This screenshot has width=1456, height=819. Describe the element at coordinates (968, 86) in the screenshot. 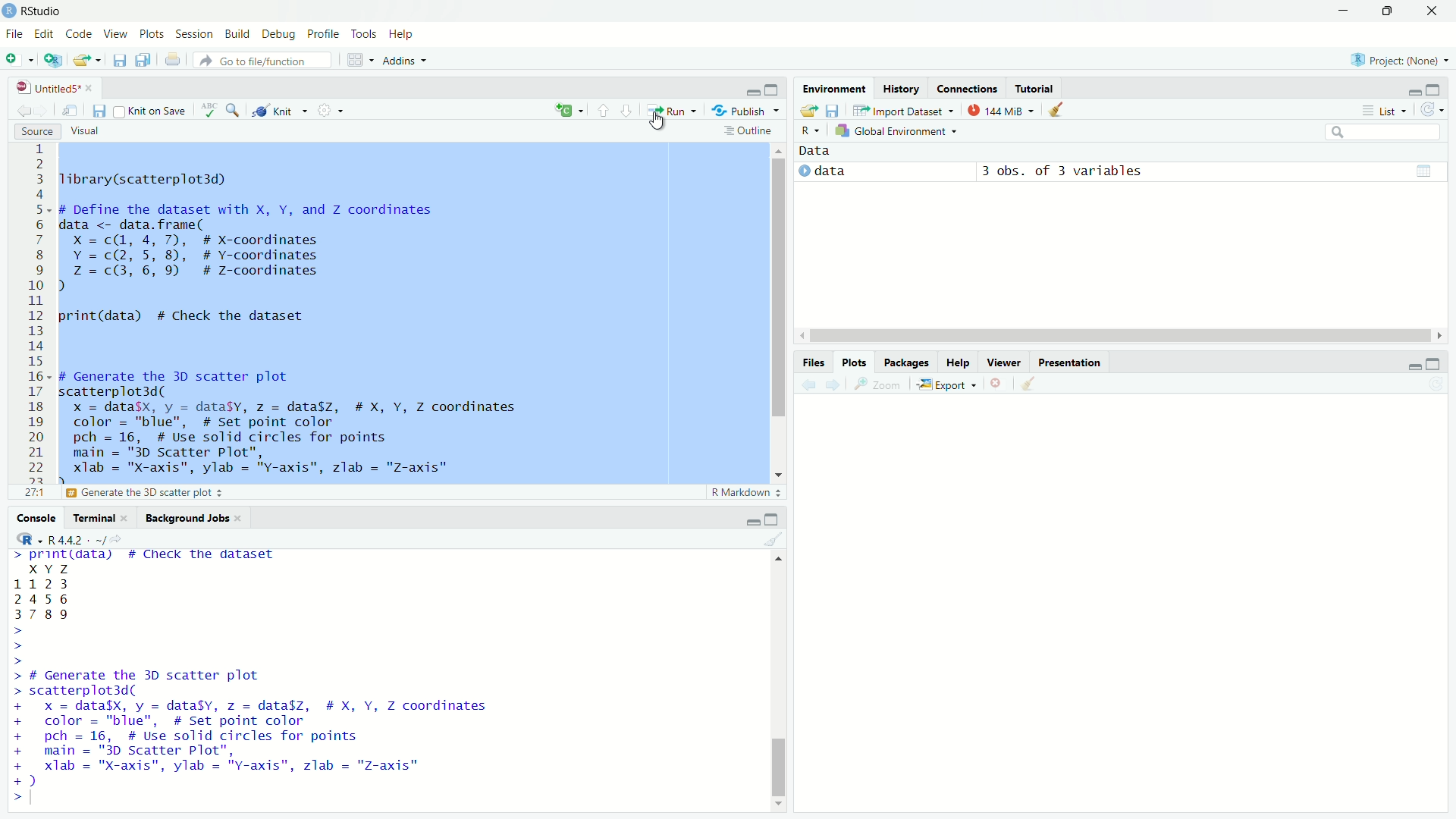

I see `connections` at that location.